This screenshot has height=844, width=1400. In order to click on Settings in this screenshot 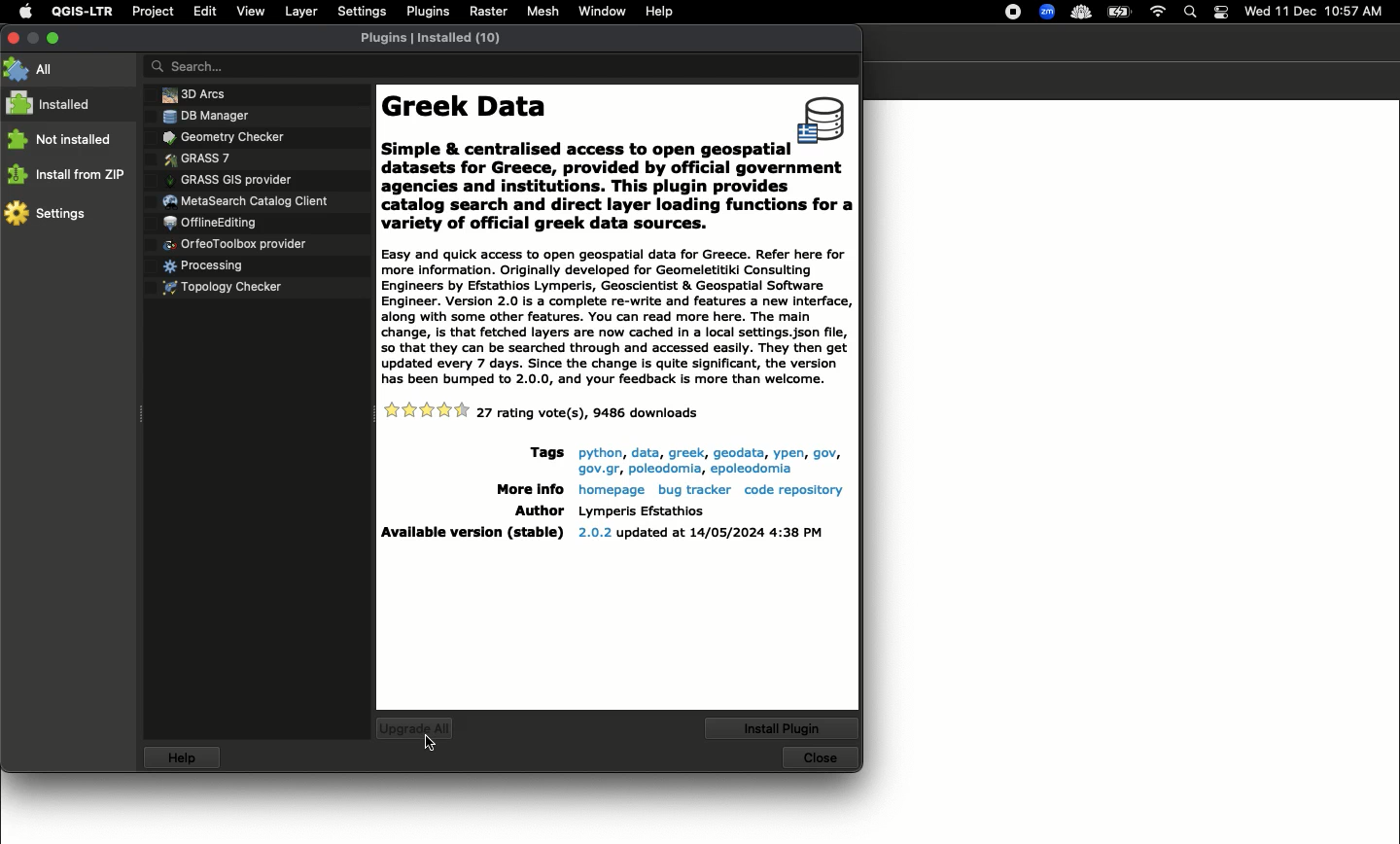, I will do `click(48, 216)`.